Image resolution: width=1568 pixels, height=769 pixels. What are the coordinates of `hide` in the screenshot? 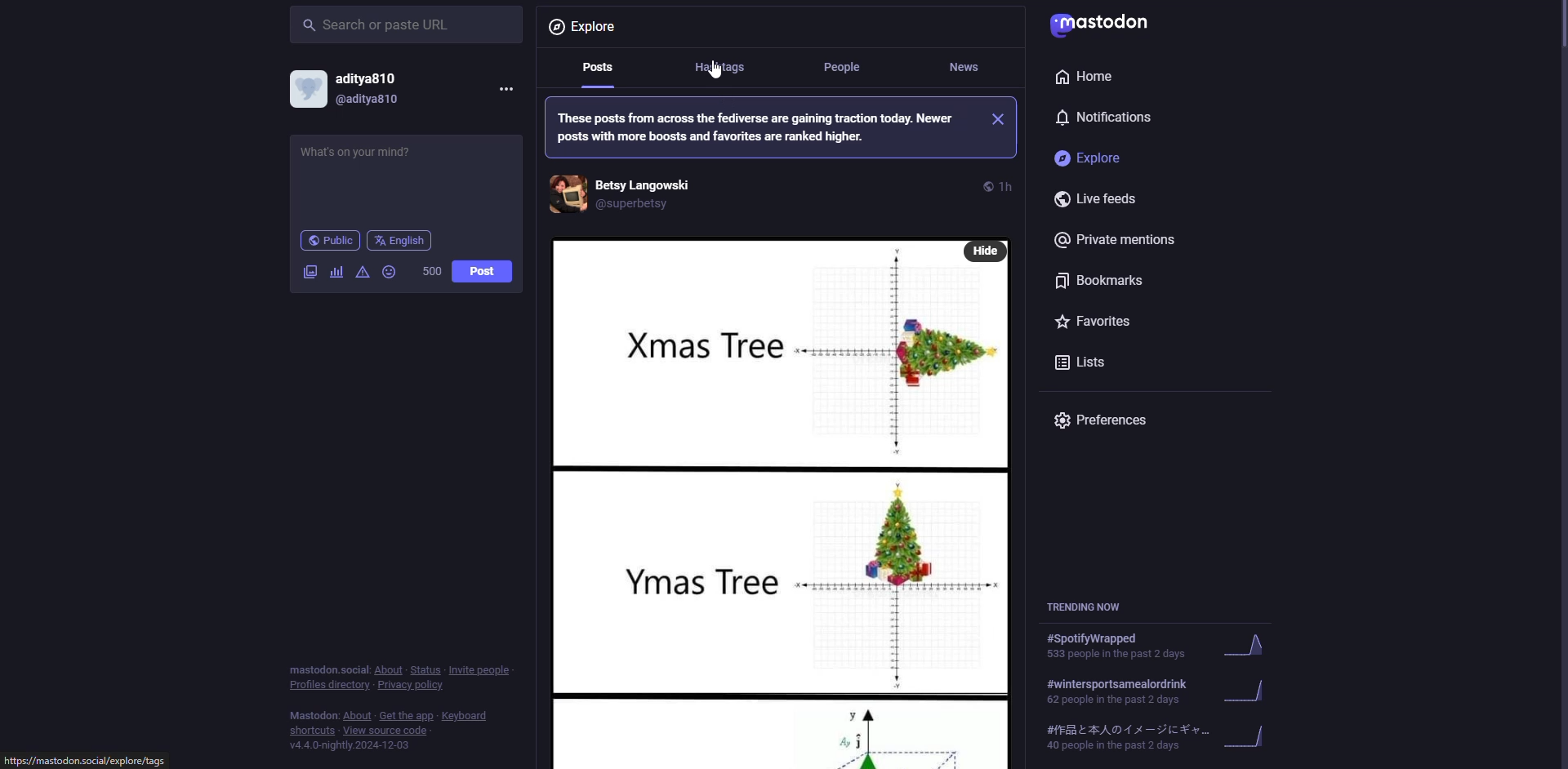 It's located at (986, 251).